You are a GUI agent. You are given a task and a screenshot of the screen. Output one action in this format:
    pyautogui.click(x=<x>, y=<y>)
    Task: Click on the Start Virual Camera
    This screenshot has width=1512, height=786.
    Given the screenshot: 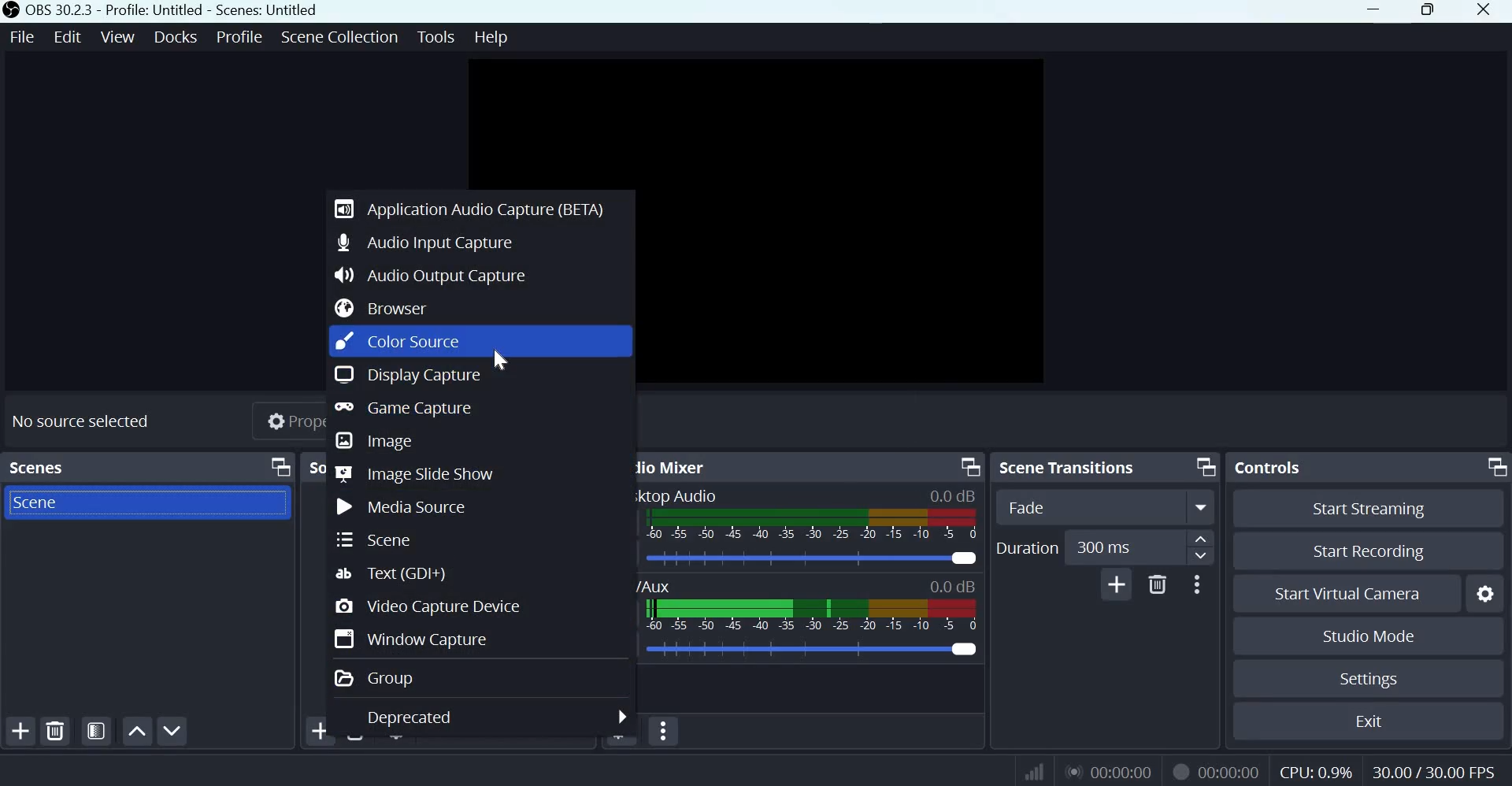 What is the action you would take?
    pyautogui.click(x=1347, y=595)
    